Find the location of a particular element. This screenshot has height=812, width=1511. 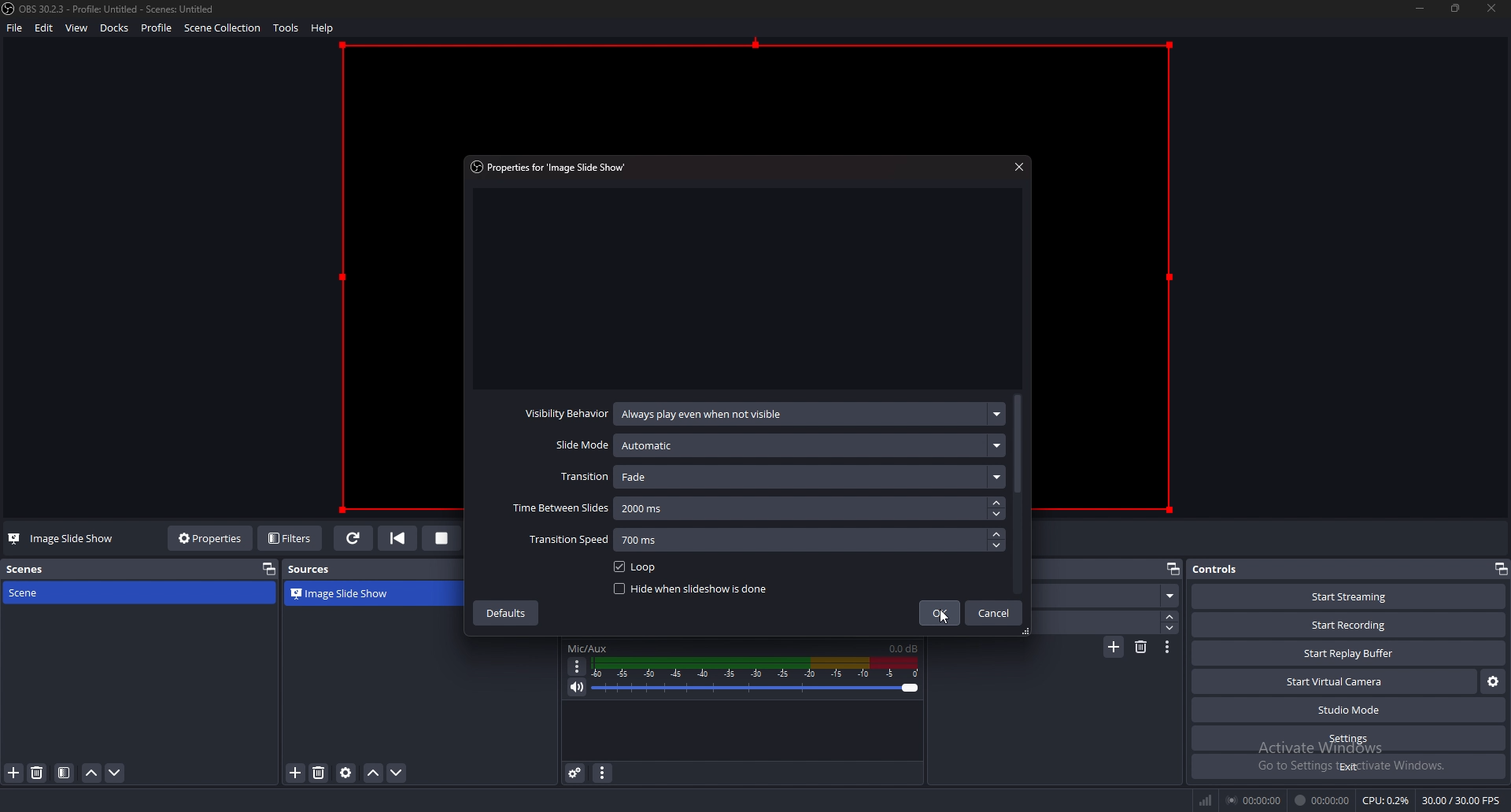

tools is located at coordinates (287, 28).